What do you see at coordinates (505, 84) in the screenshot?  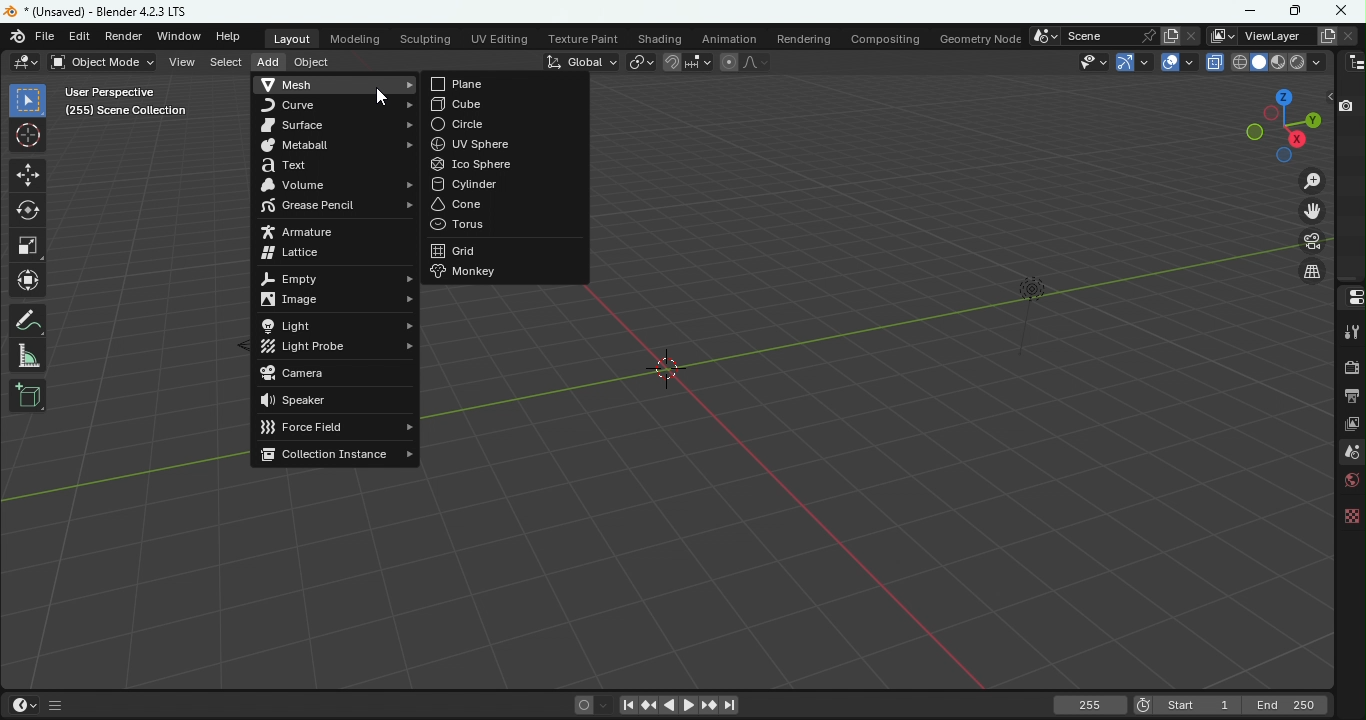 I see `Plane` at bounding box center [505, 84].